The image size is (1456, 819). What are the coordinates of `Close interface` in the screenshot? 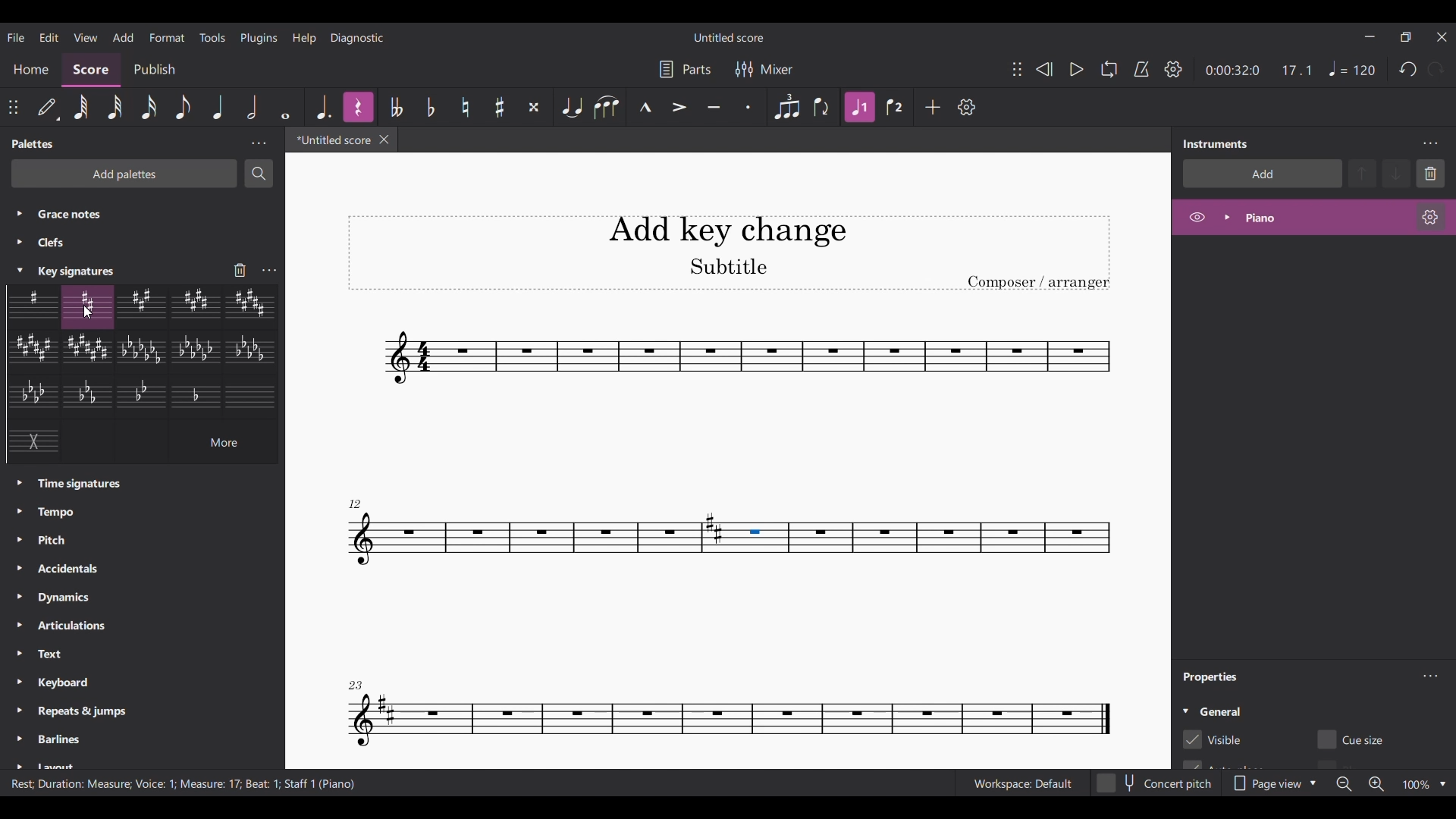 It's located at (1442, 37).